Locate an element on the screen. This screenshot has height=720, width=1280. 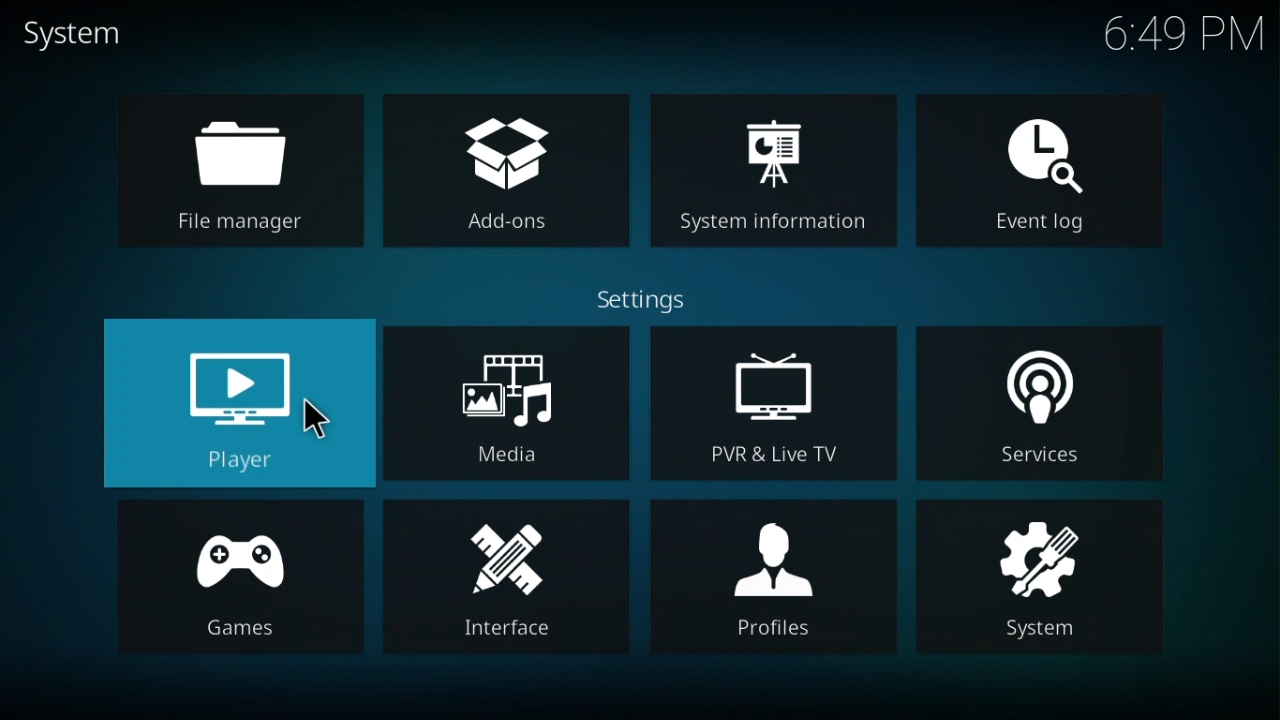
Serivices is located at coordinates (1043, 402).